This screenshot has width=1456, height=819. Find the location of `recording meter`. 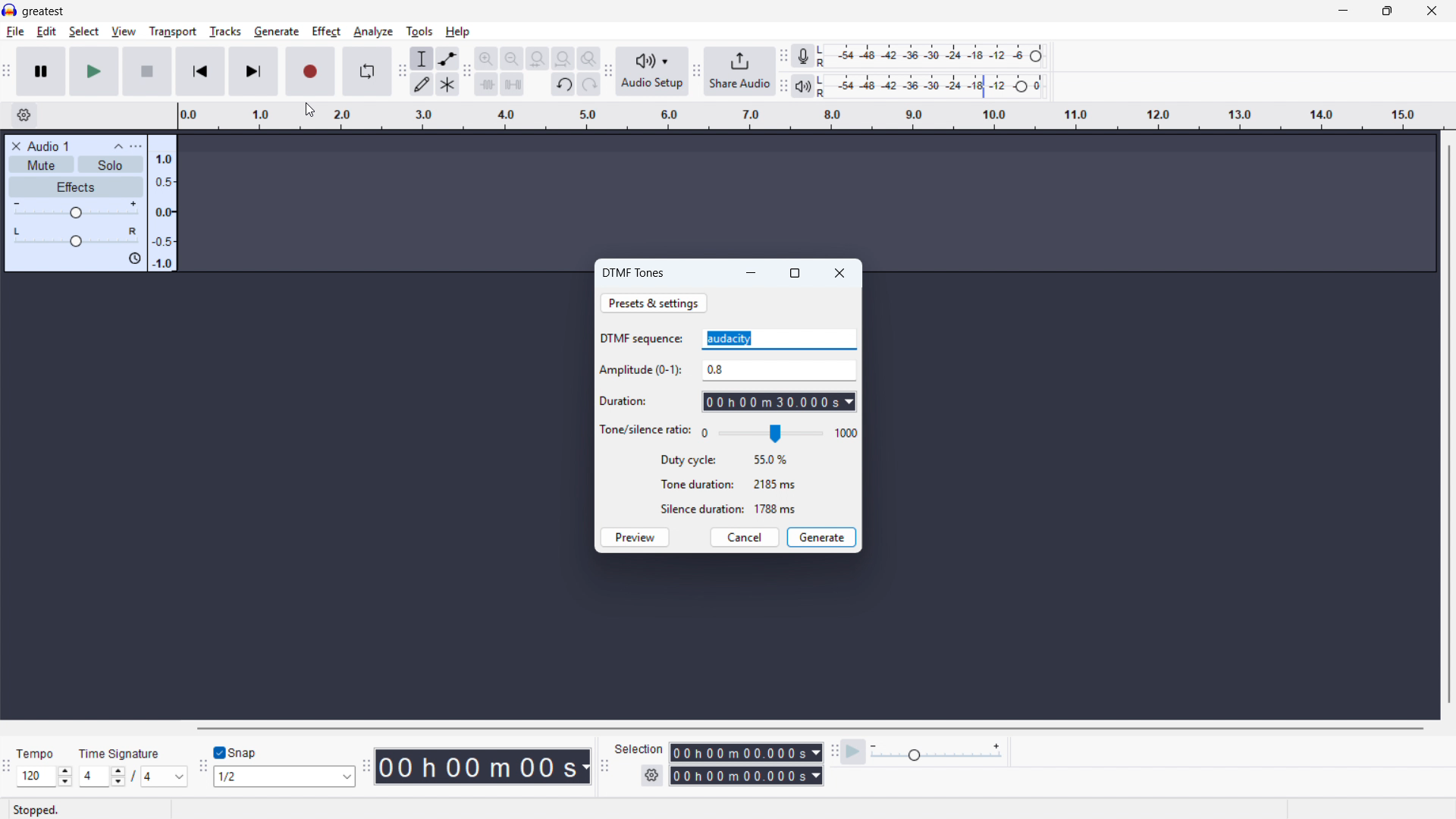

recording meter is located at coordinates (802, 55).